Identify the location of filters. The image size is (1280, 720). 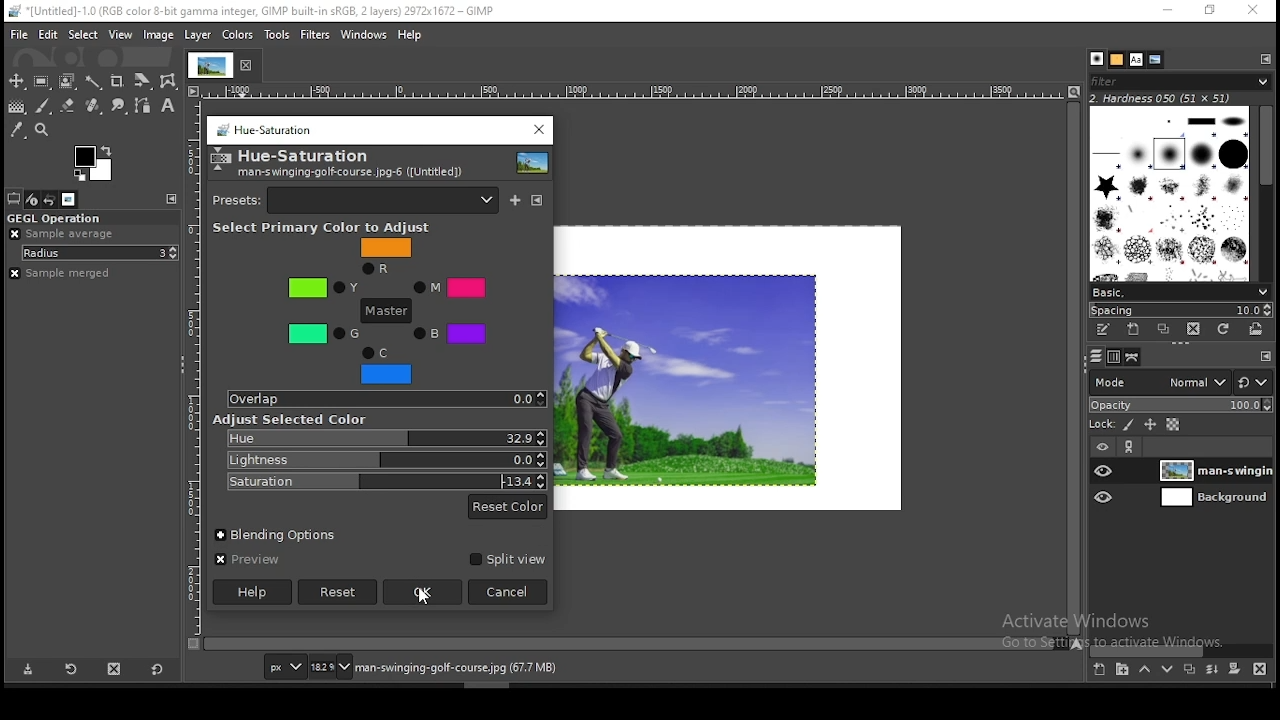
(314, 35).